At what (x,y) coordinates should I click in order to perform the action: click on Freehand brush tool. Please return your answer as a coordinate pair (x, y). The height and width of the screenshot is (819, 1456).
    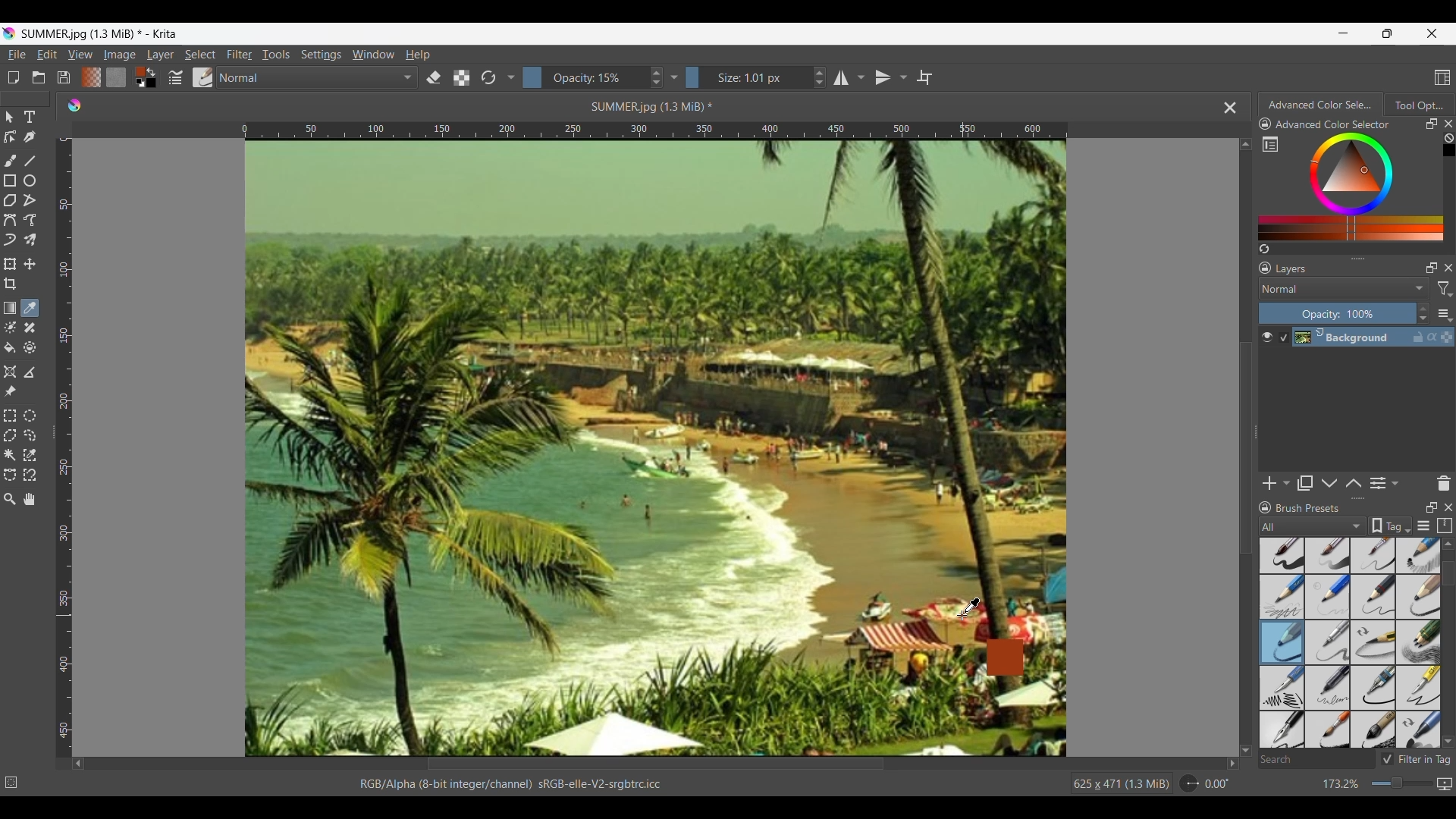
    Looking at the image, I should click on (11, 162).